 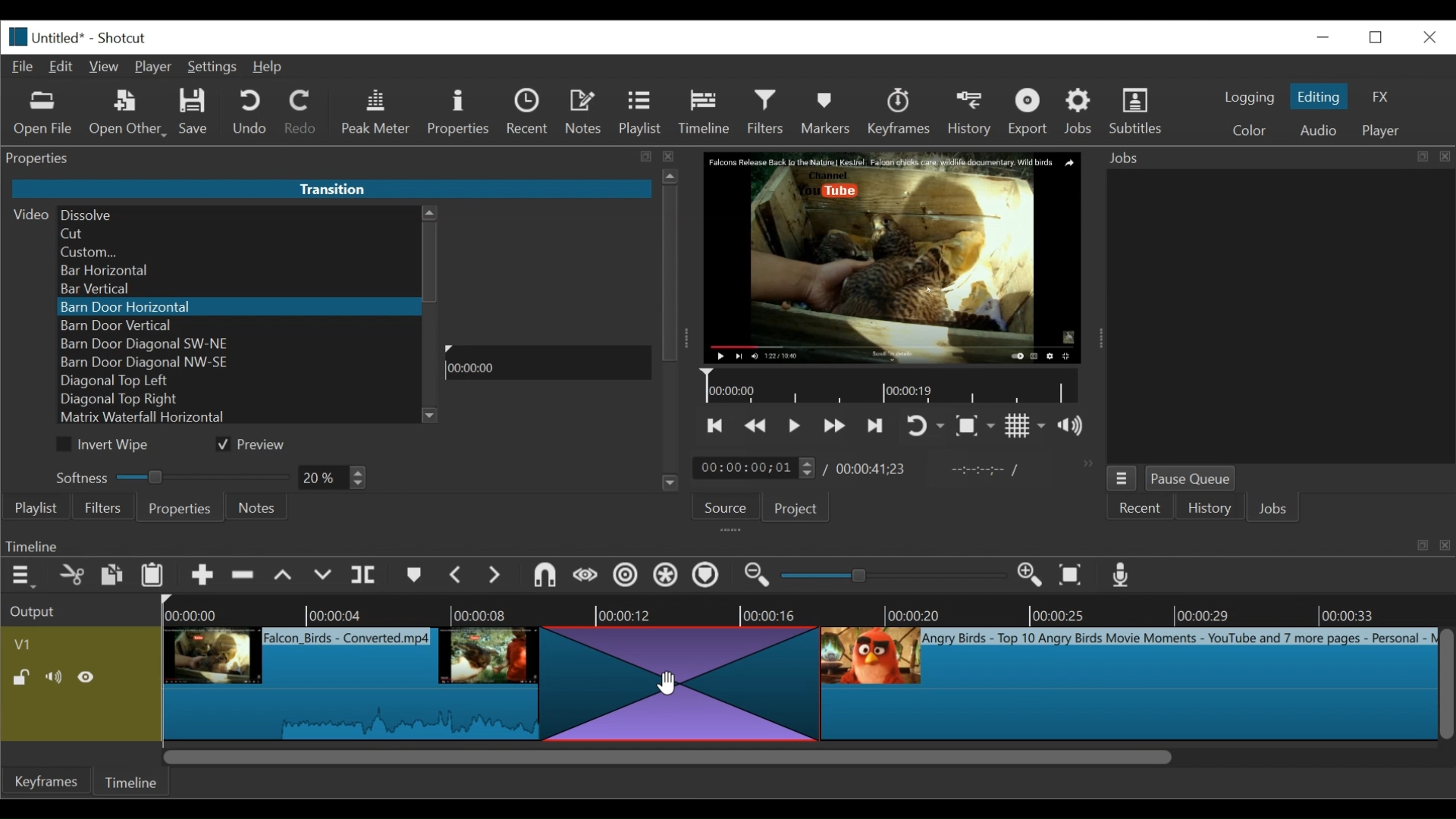 What do you see at coordinates (1025, 426) in the screenshot?
I see `Toggle display grid on player` at bounding box center [1025, 426].